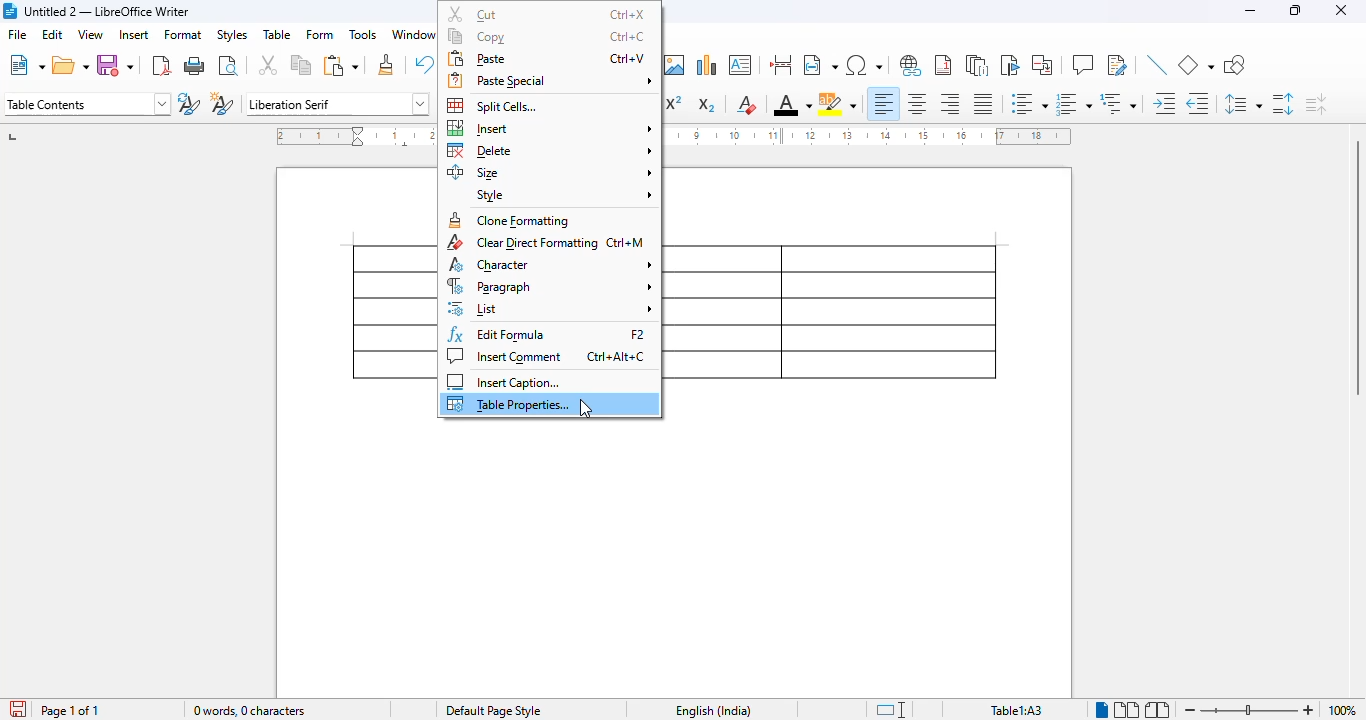 This screenshot has width=1366, height=720. What do you see at coordinates (1200, 103) in the screenshot?
I see `decrease indent` at bounding box center [1200, 103].